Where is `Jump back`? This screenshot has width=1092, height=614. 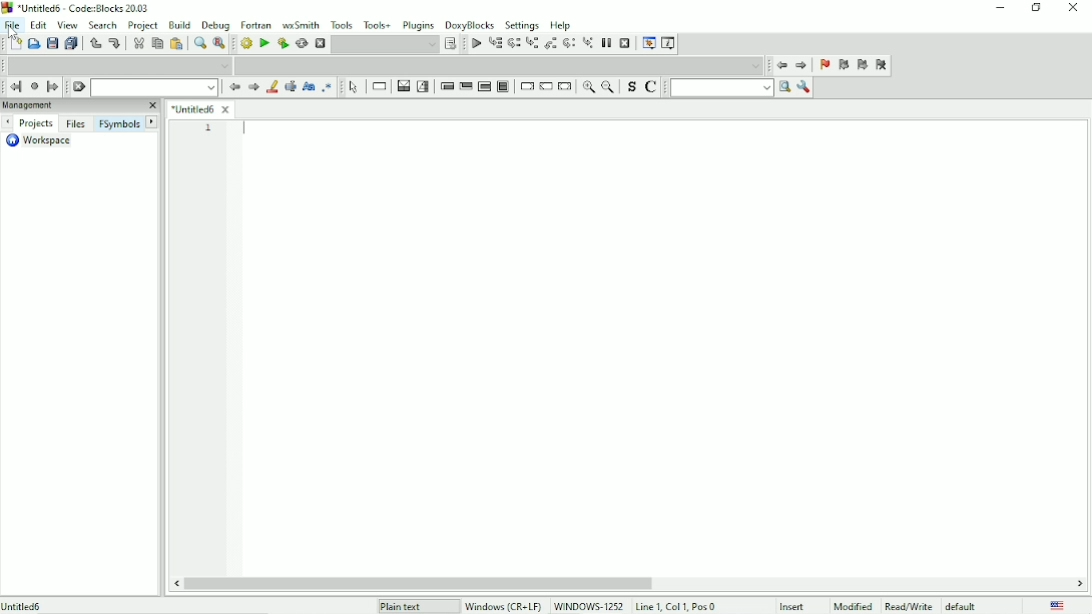 Jump back is located at coordinates (16, 87).